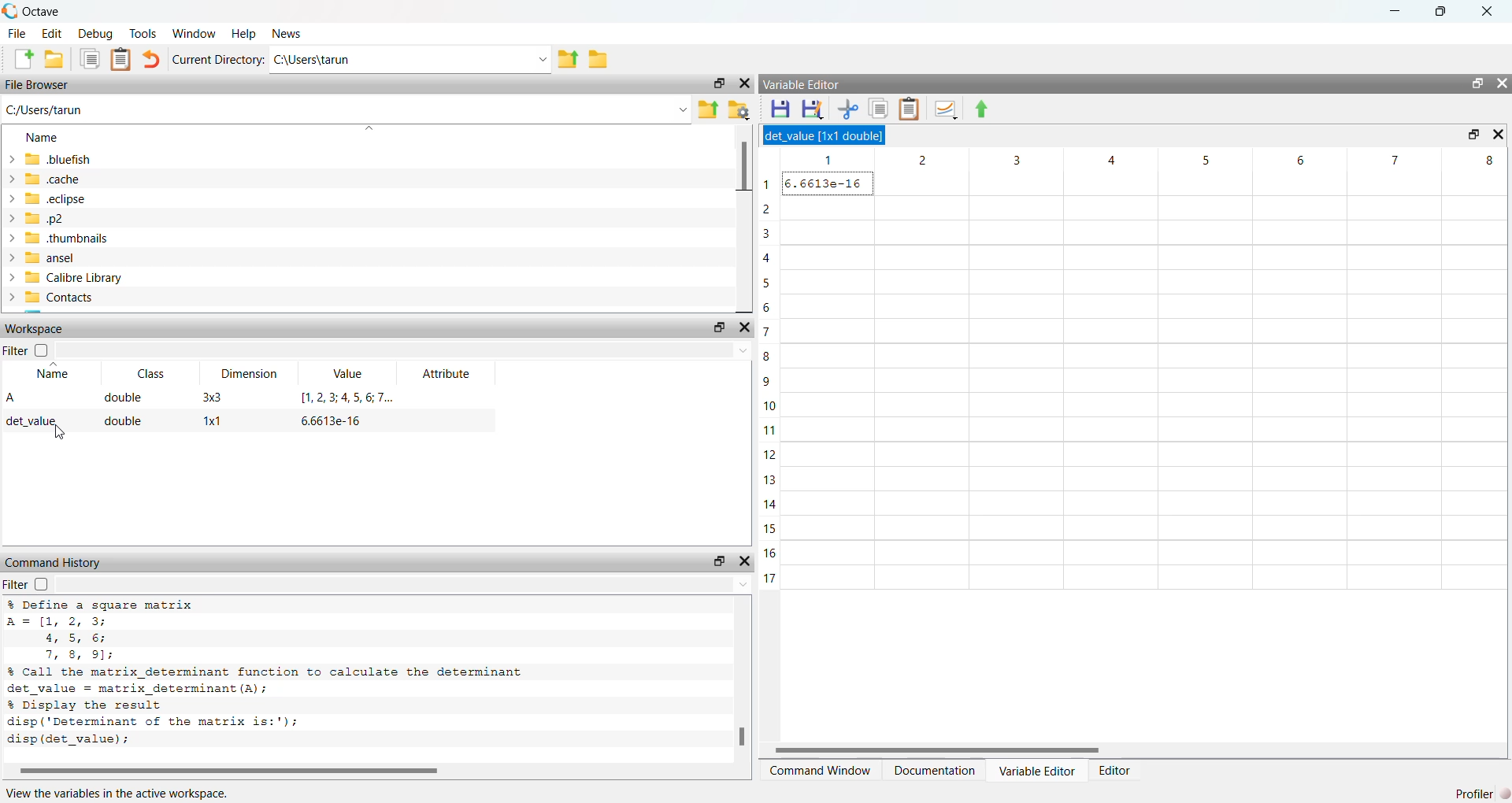 The height and width of the screenshot is (803, 1512). I want to click on double, so click(125, 424).